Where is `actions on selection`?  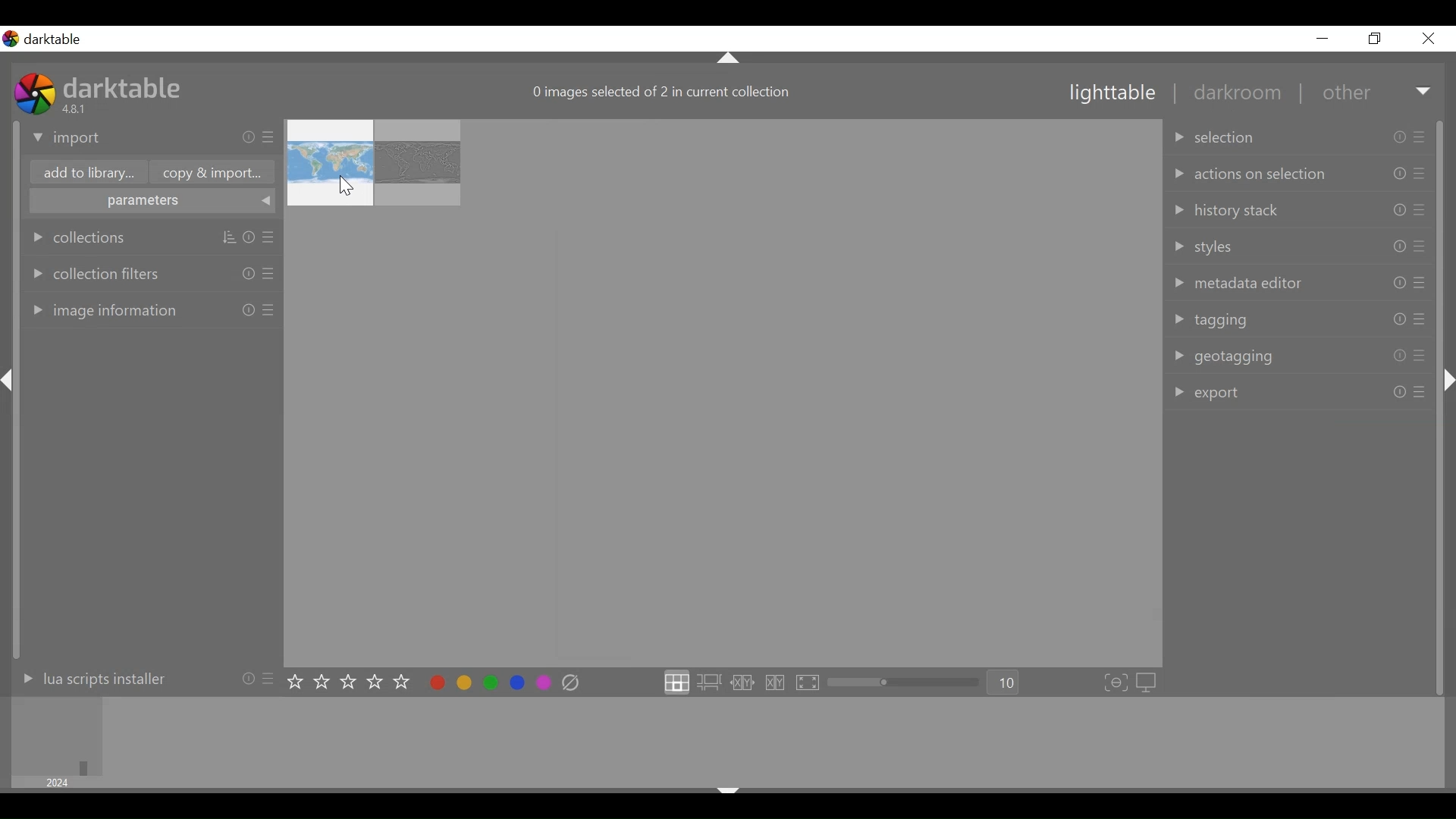 actions on selection is located at coordinates (1303, 172).